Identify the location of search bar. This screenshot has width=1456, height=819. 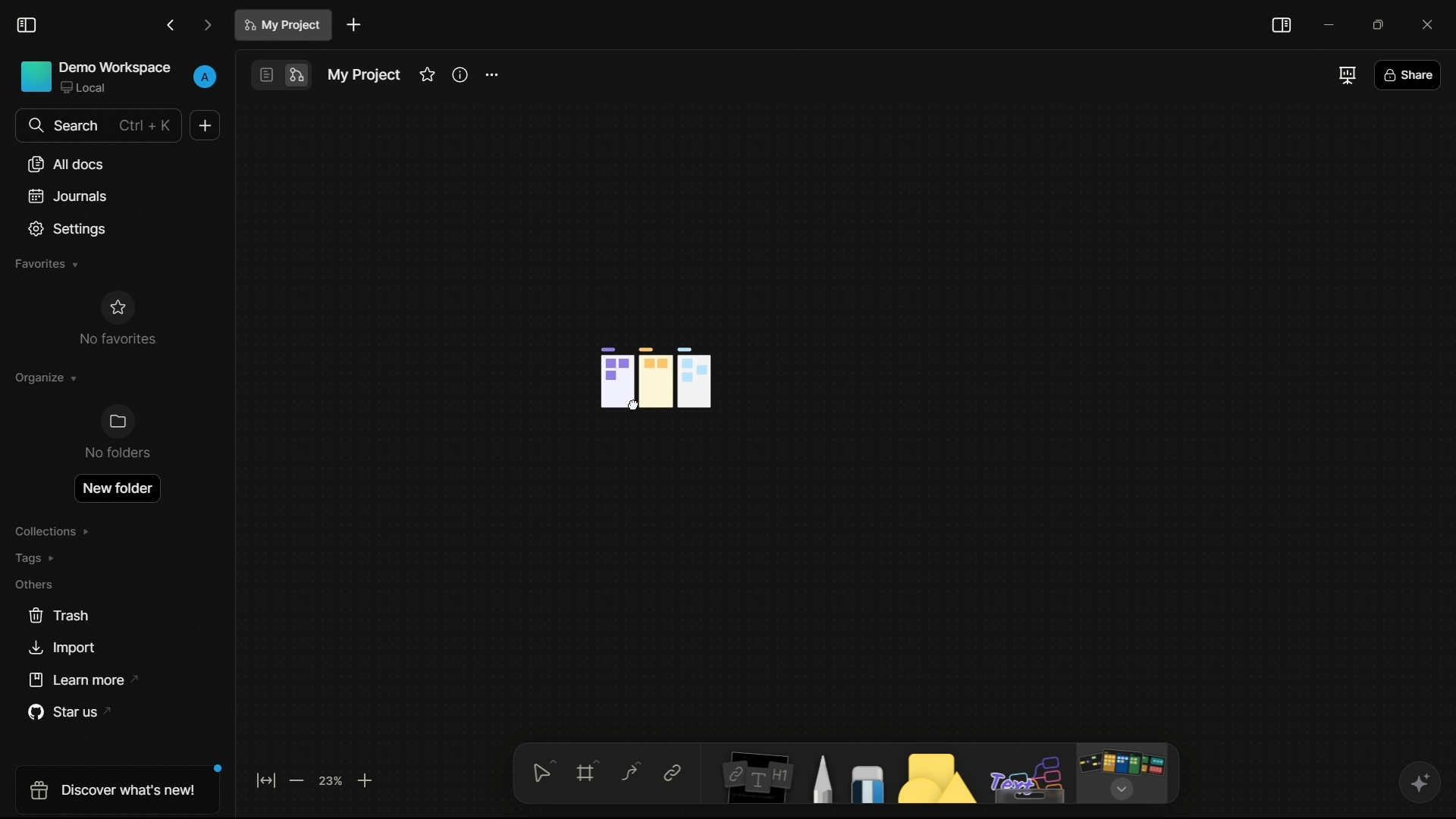
(97, 125).